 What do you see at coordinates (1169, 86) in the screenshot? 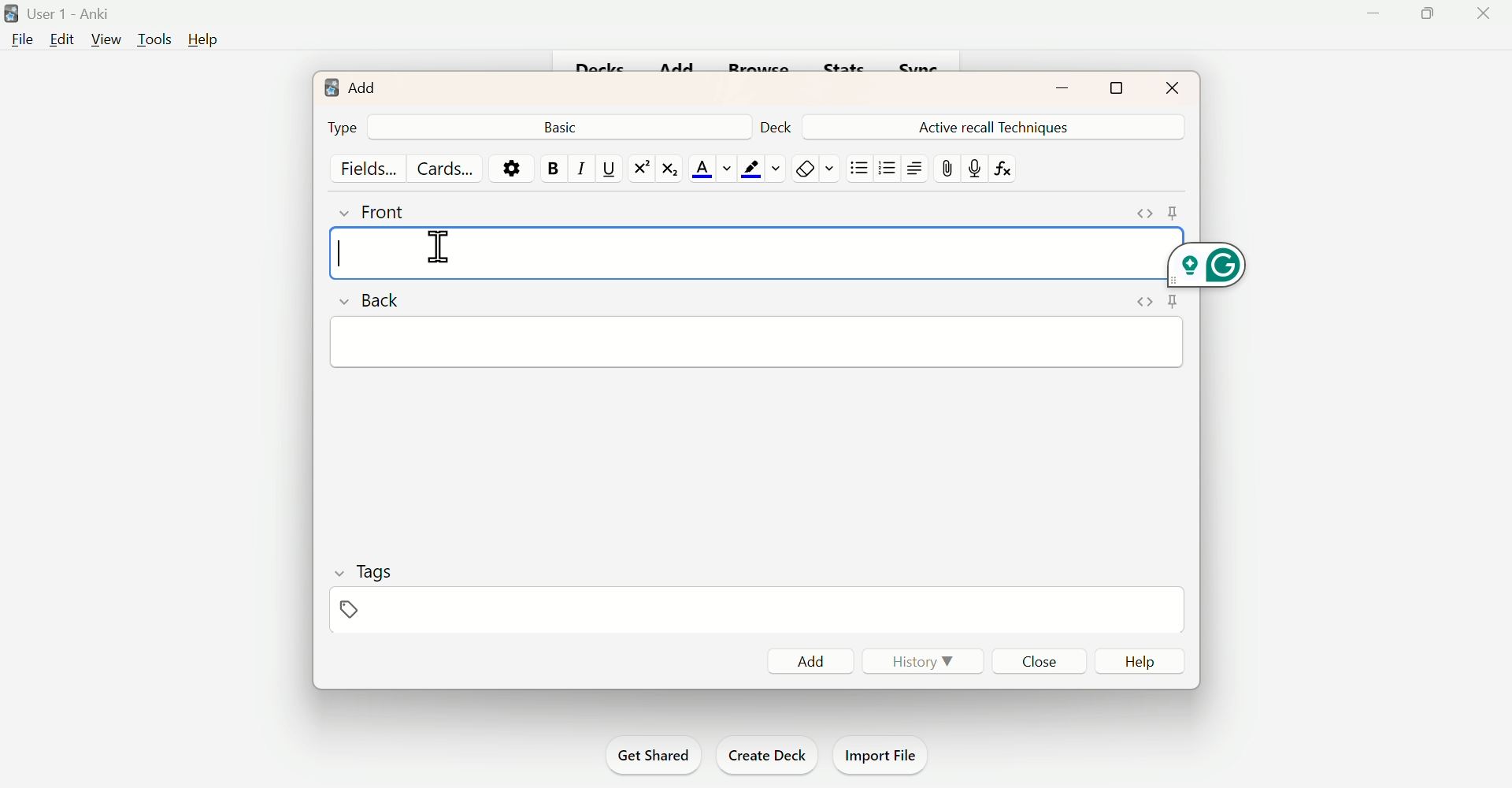
I see `Close` at bounding box center [1169, 86].